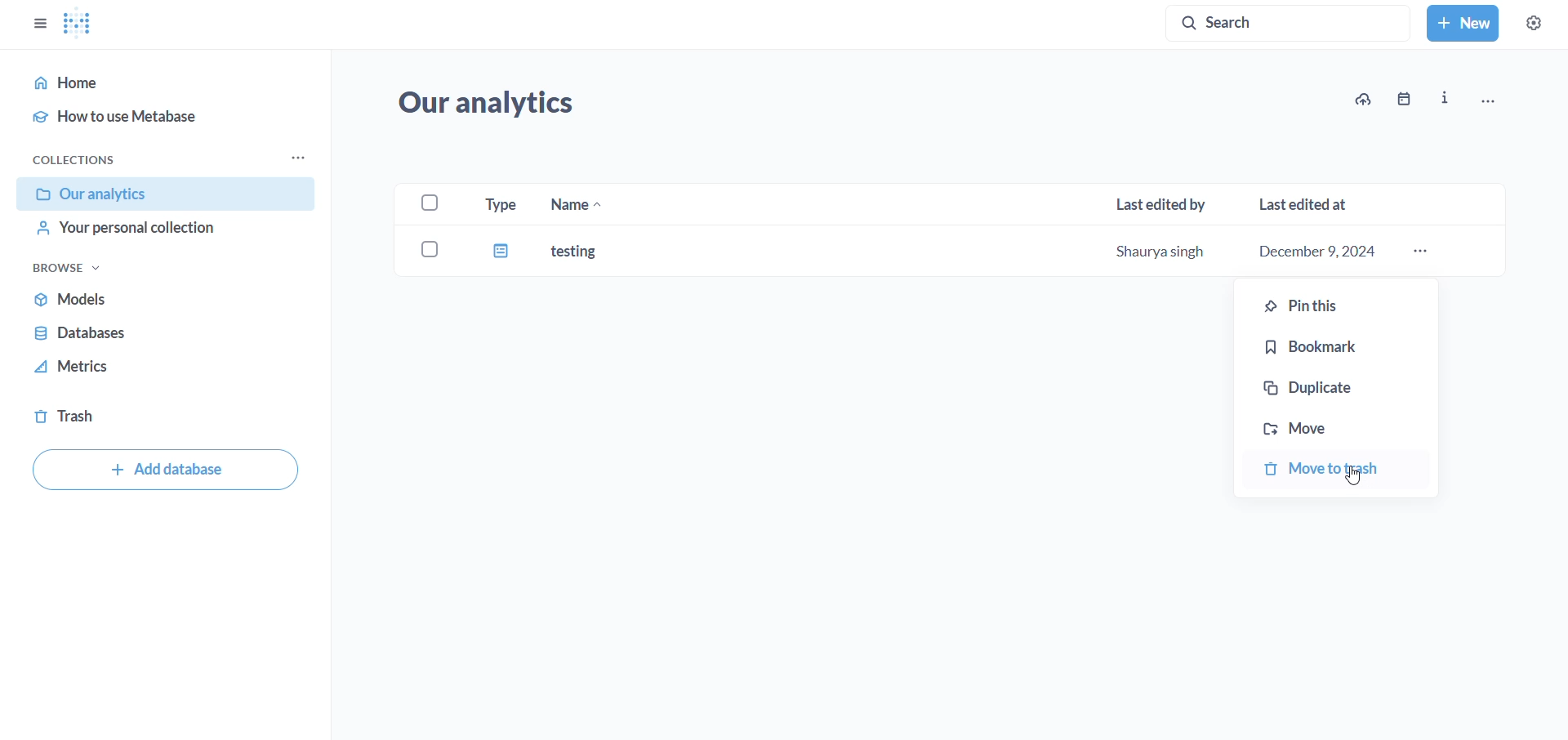 This screenshot has width=1568, height=740. Describe the element at coordinates (75, 159) in the screenshot. I see `collections` at that location.